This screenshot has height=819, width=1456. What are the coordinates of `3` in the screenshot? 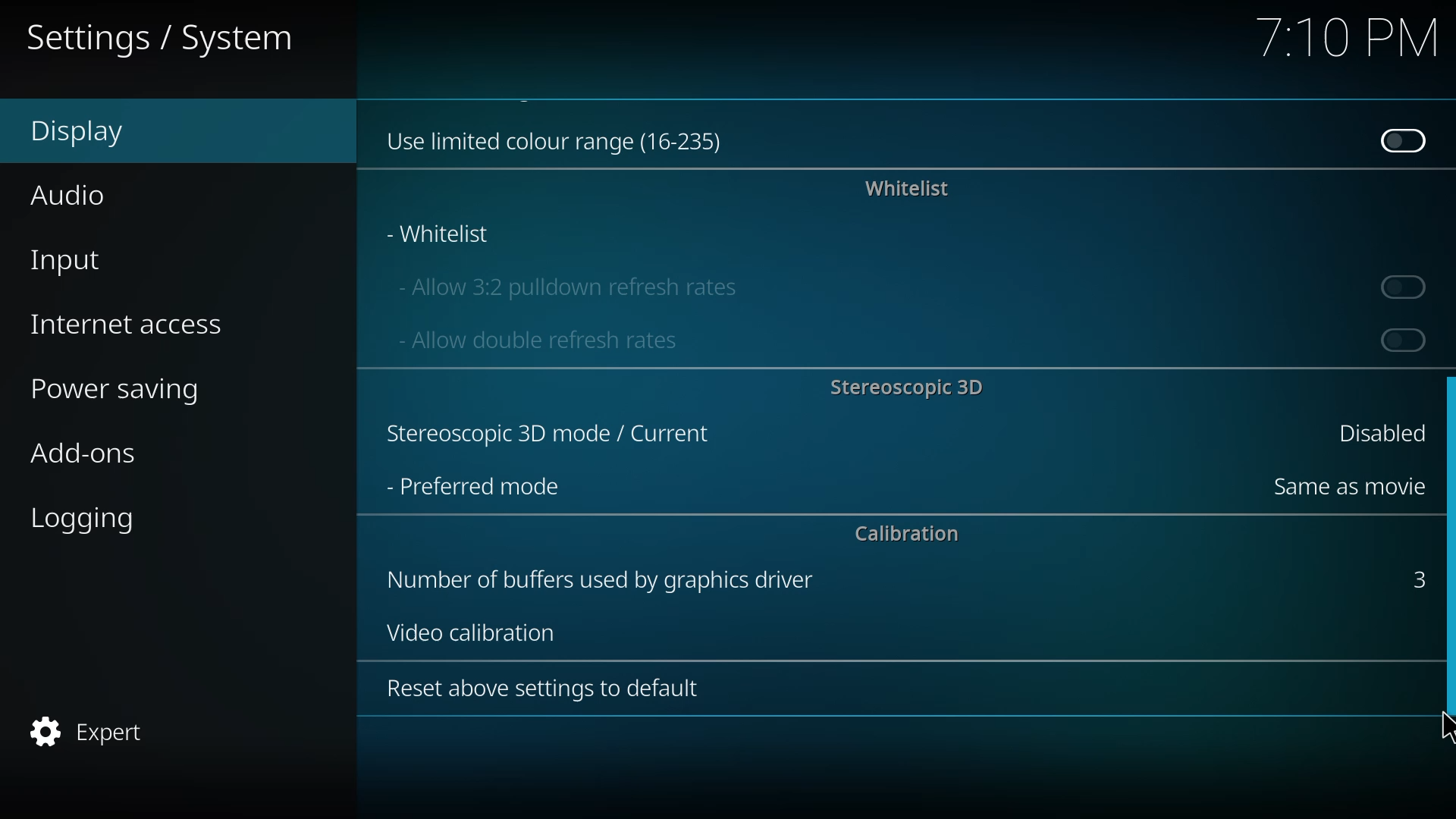 It's located at (1414, 577).